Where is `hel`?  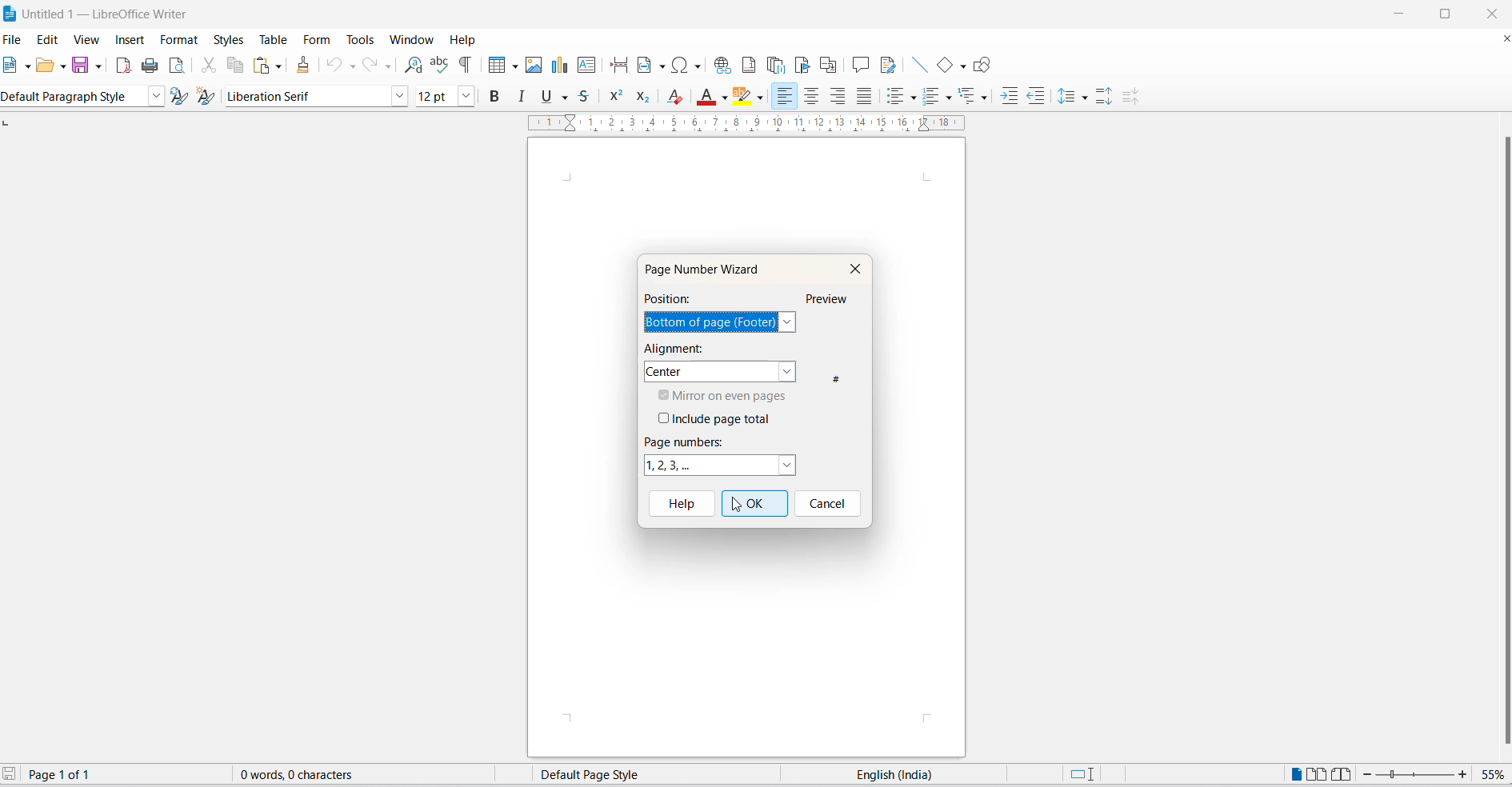 hel is located at coordinates (678, 504).